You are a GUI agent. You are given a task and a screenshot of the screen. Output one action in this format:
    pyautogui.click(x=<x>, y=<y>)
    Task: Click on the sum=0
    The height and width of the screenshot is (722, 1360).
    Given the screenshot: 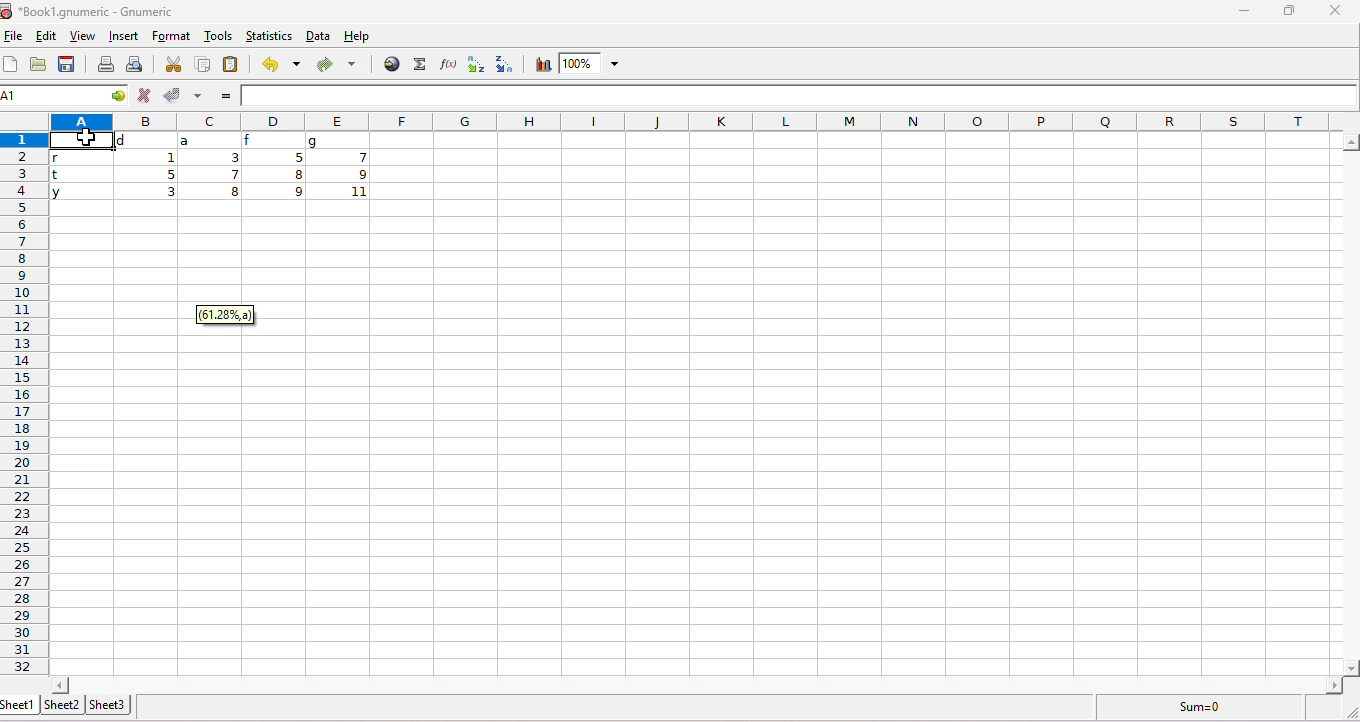 What is the action you would take?
    pyautogui.click(x=1202, y=709)
    